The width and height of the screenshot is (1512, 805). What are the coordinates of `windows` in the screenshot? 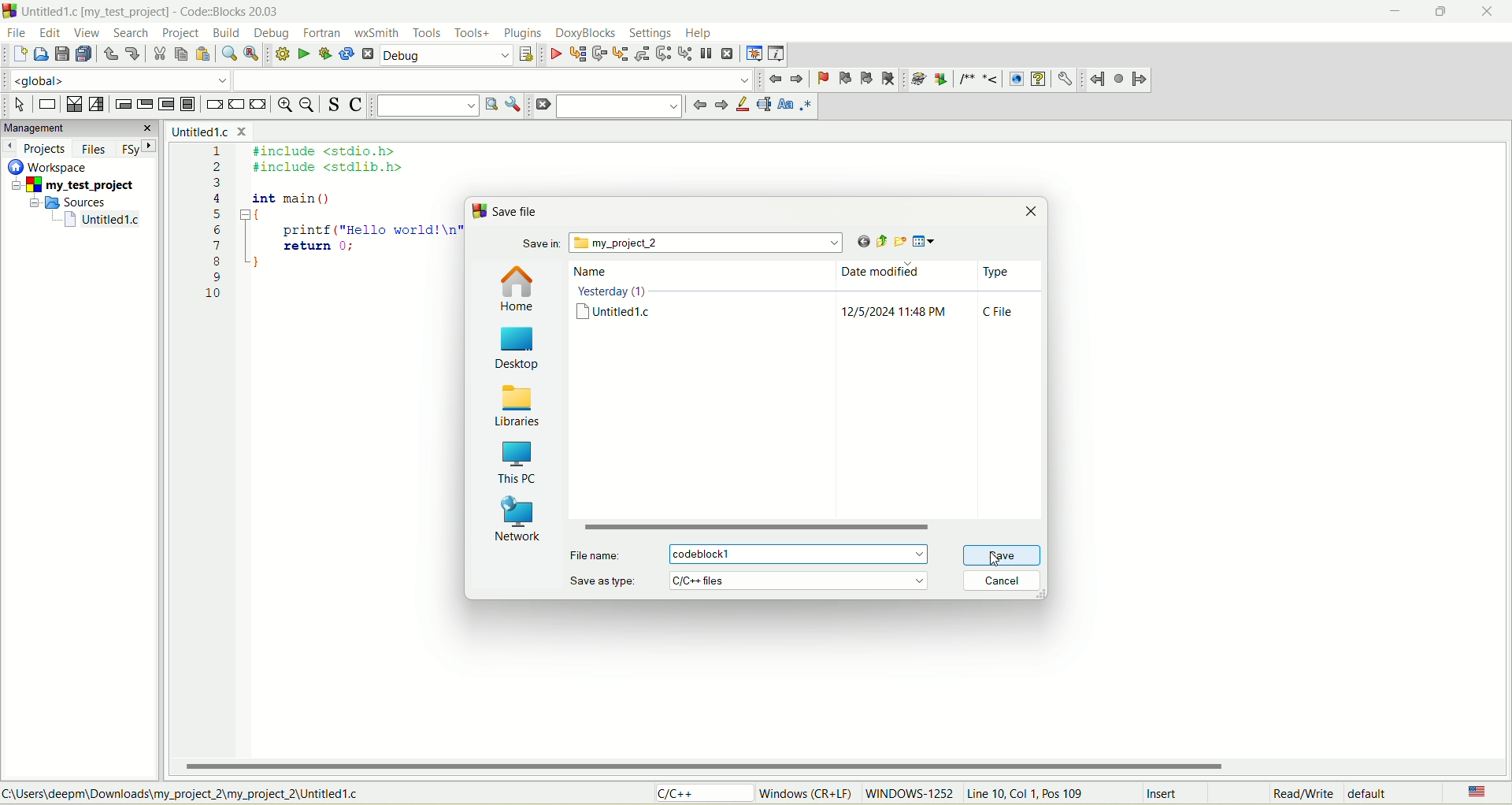 It's located at (809, 792).